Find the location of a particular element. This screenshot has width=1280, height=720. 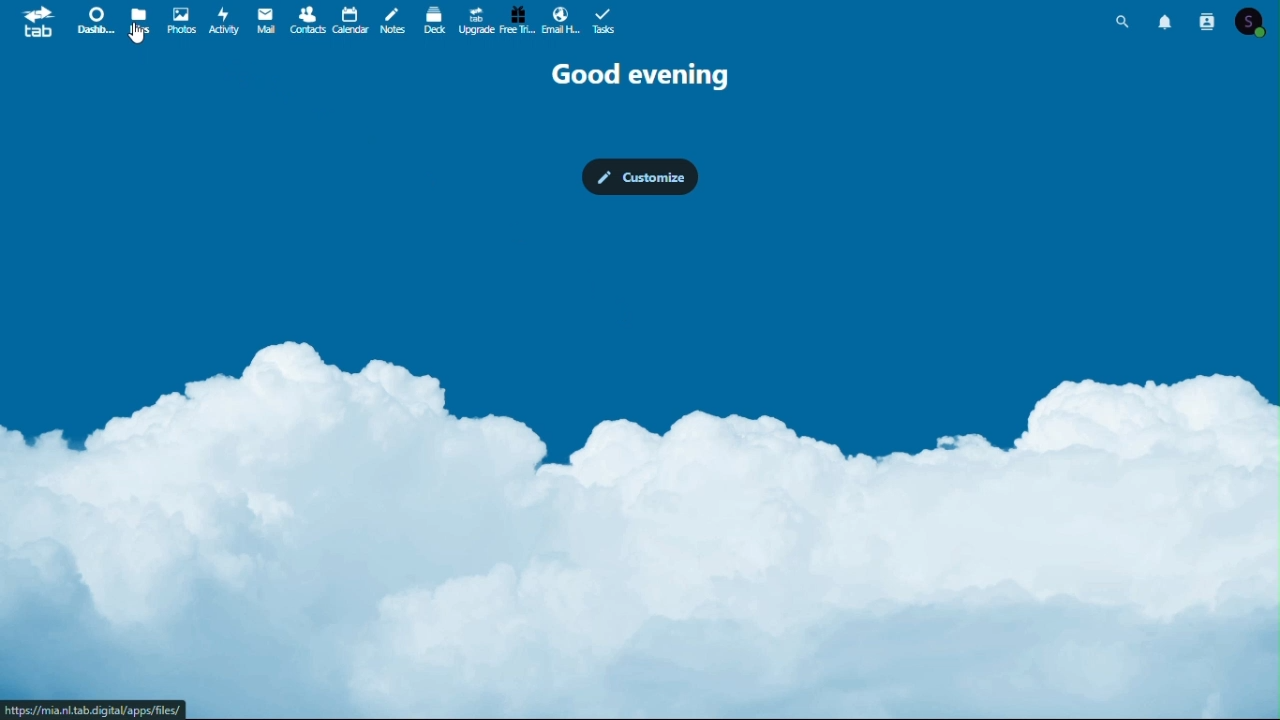

mail is located at coordinates (264, 19).